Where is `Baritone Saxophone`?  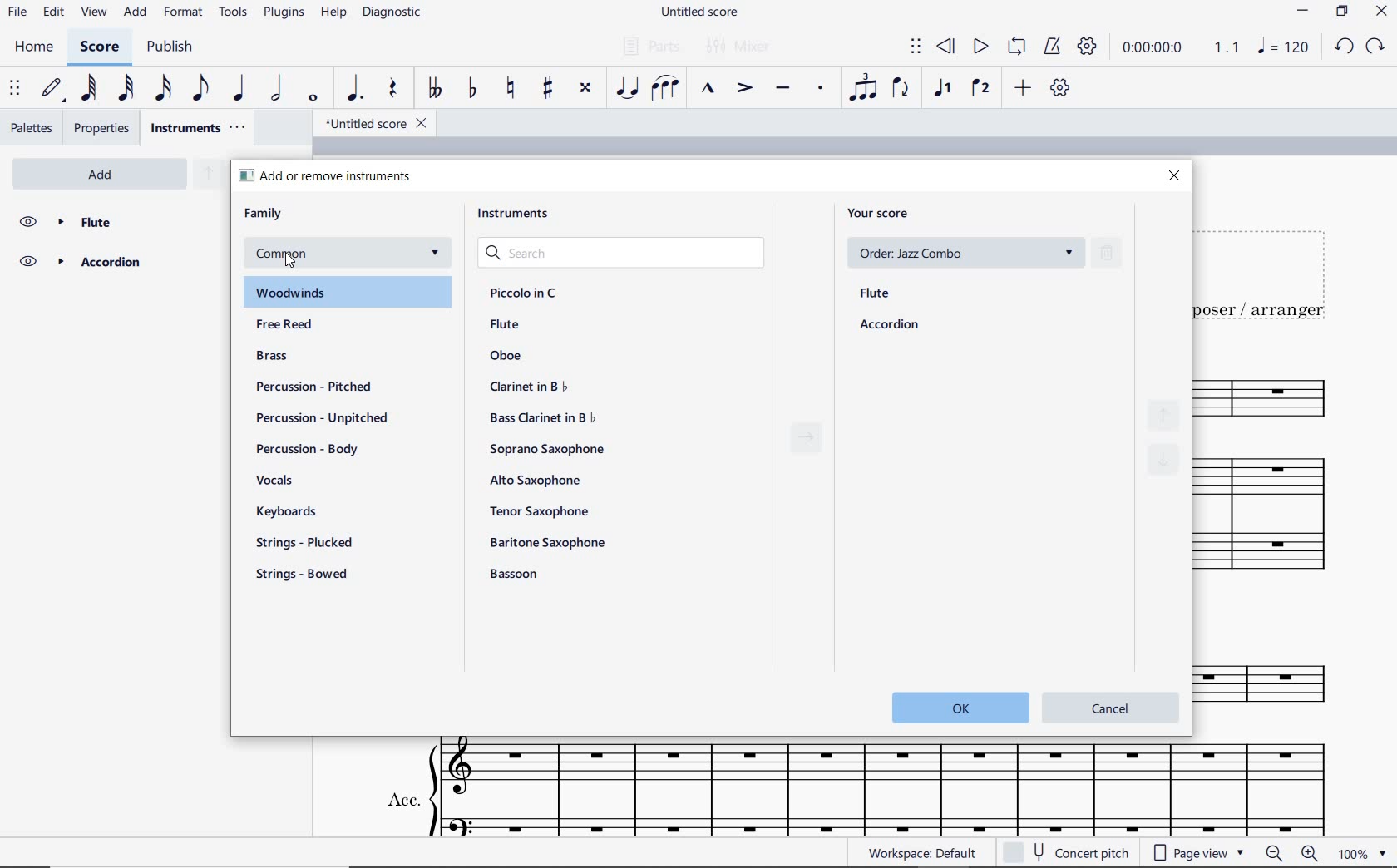 Baritone Saxophone is located at coordinates (549, 542).